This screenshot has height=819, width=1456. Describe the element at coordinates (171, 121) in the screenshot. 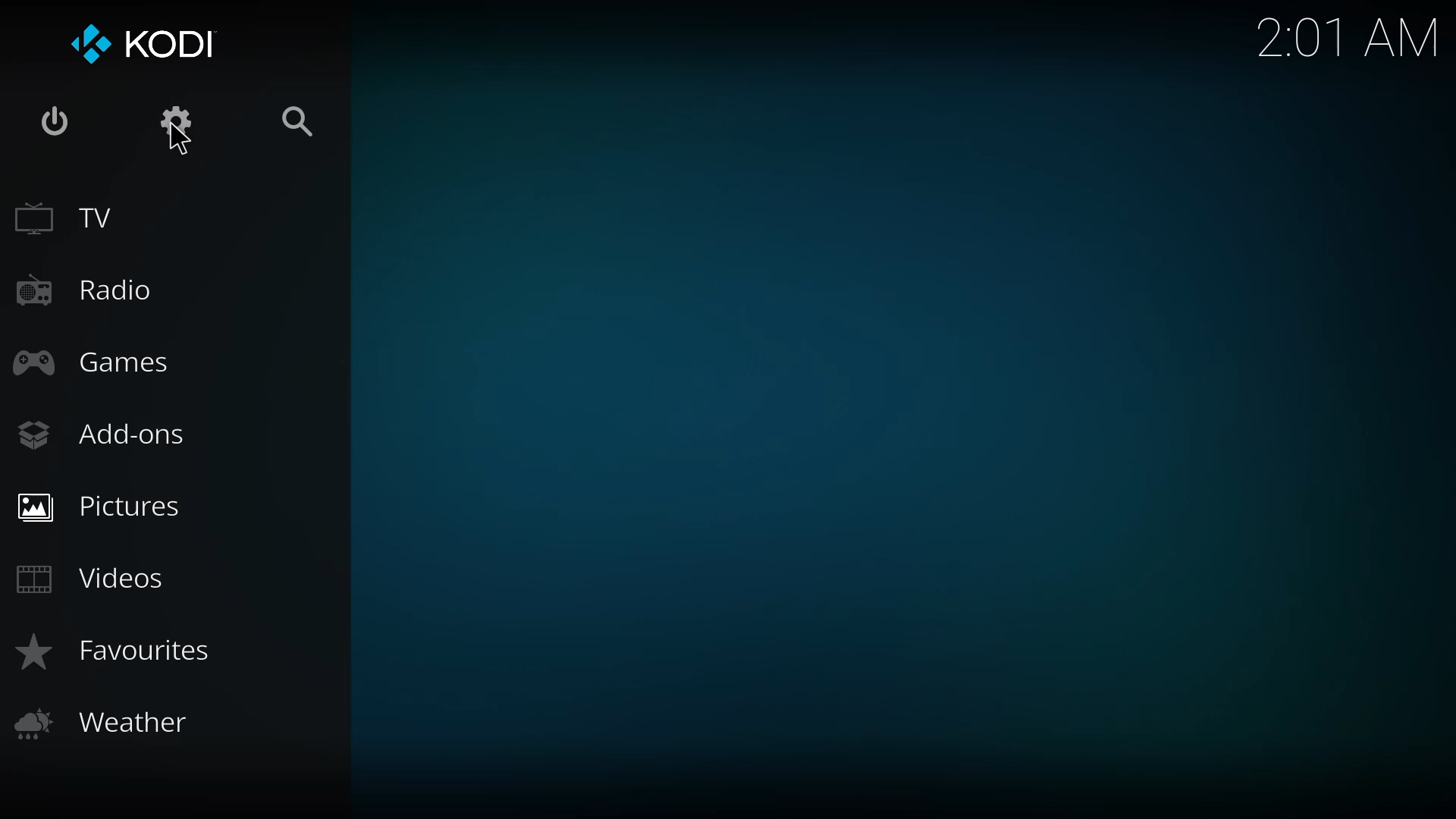

I see `settings` at that location.